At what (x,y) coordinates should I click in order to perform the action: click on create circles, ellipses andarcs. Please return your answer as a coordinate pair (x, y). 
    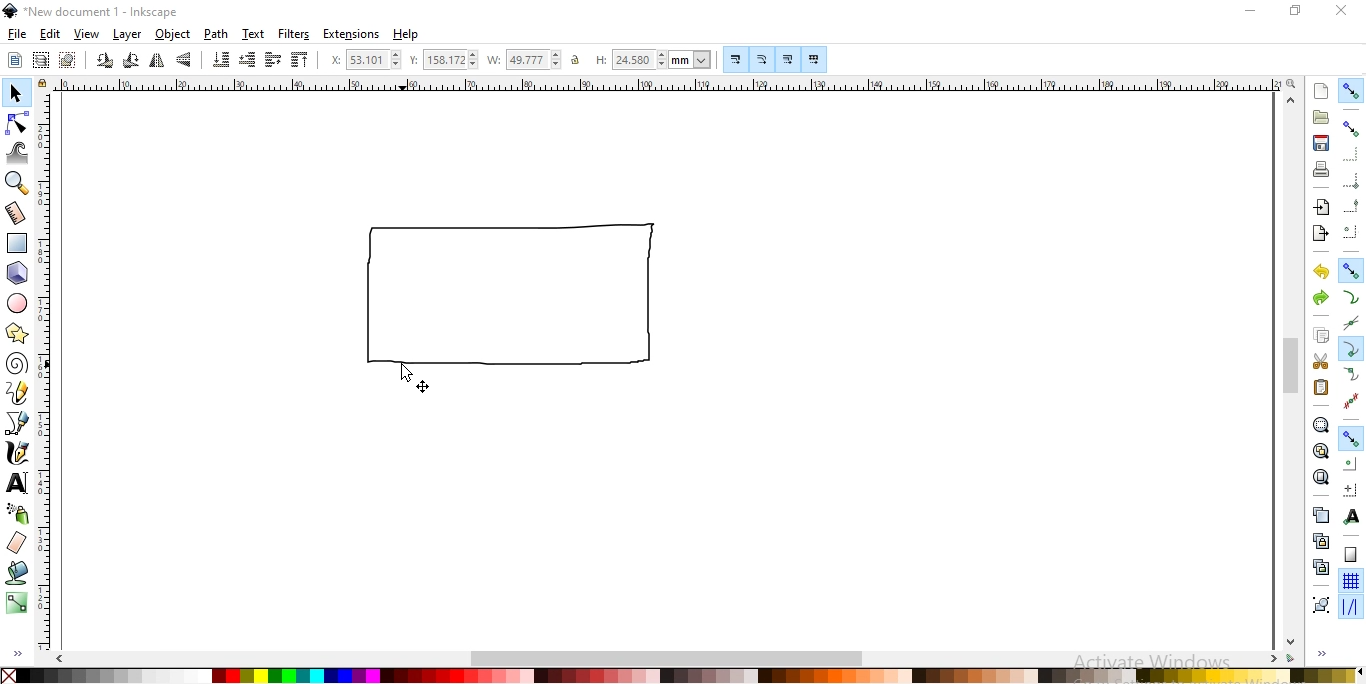
    Looking at the image, I should click on (18, 304).